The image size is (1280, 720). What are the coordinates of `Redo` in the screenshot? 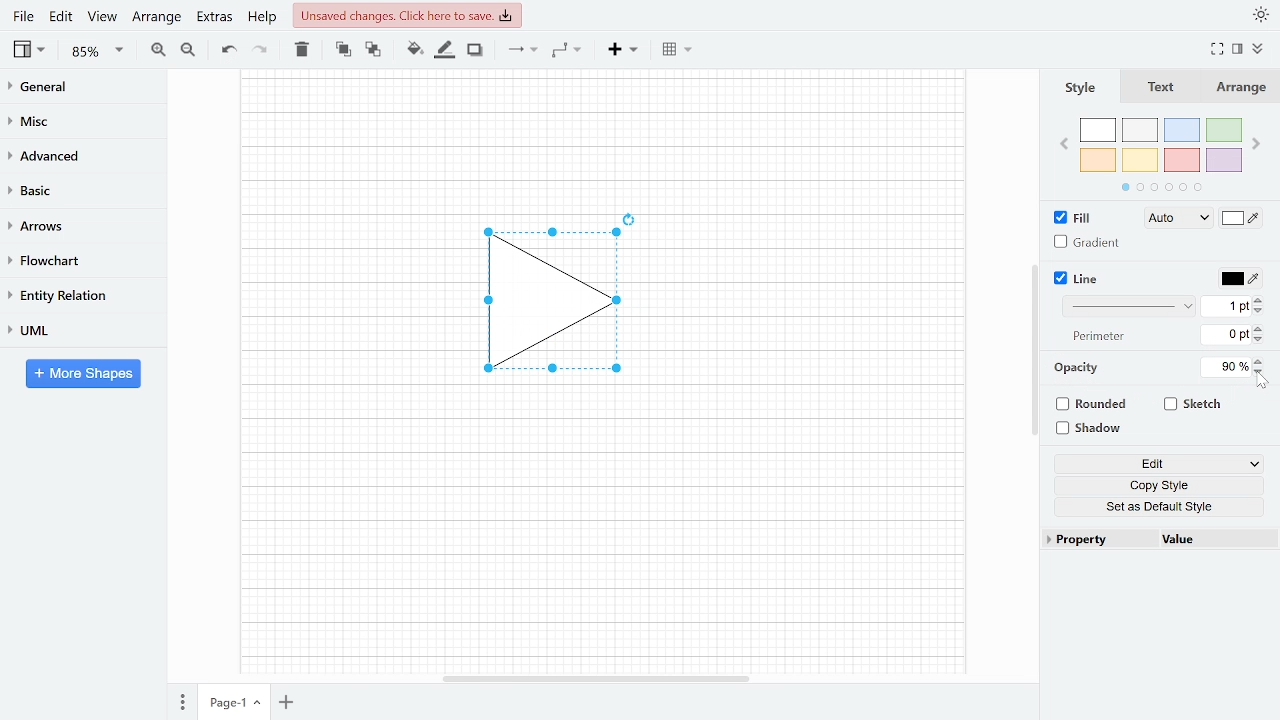 It's located at (258, 48).